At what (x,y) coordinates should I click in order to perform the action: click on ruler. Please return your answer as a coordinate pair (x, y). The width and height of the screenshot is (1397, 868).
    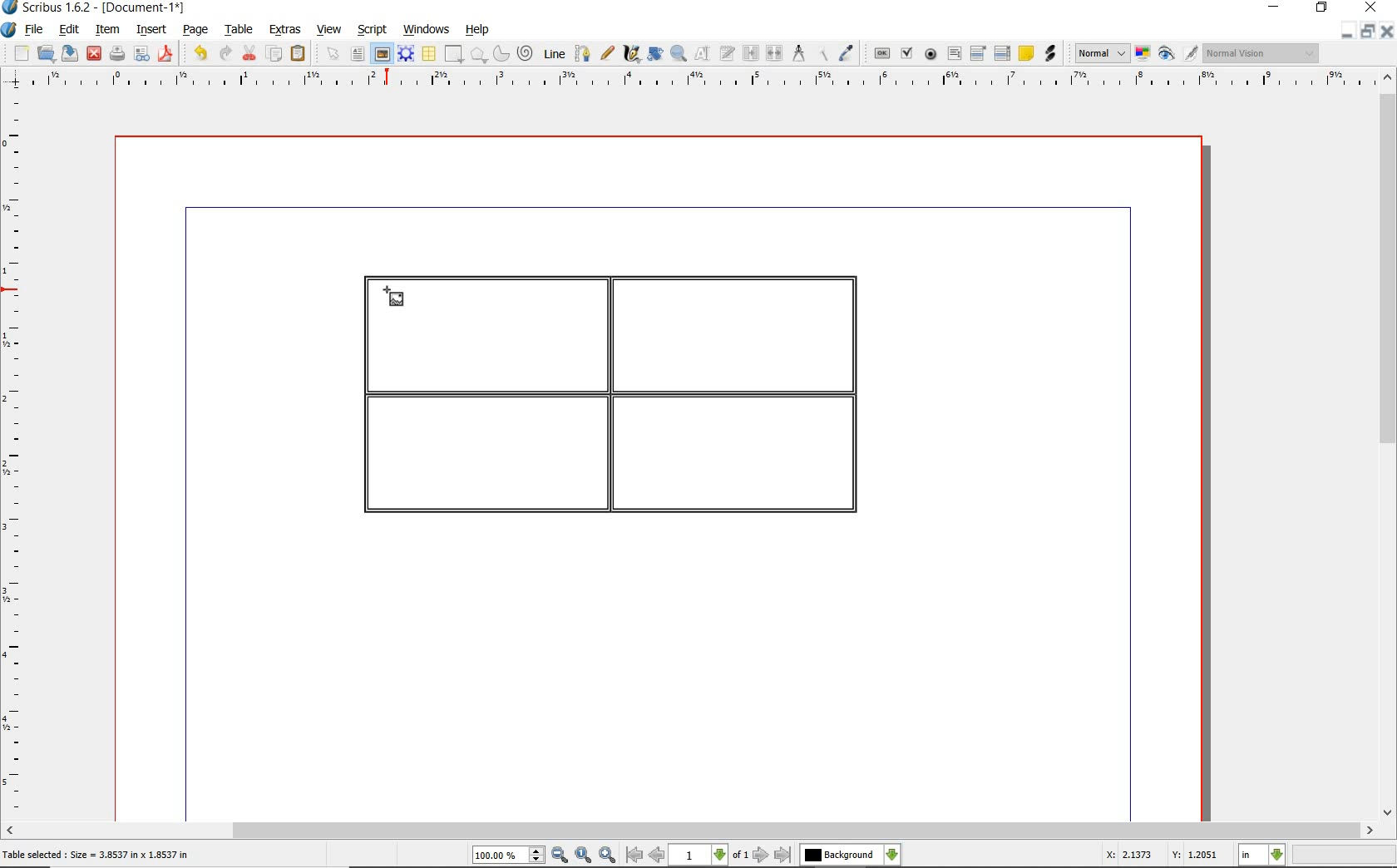
    Looking at the image, I should click on (706, 80).